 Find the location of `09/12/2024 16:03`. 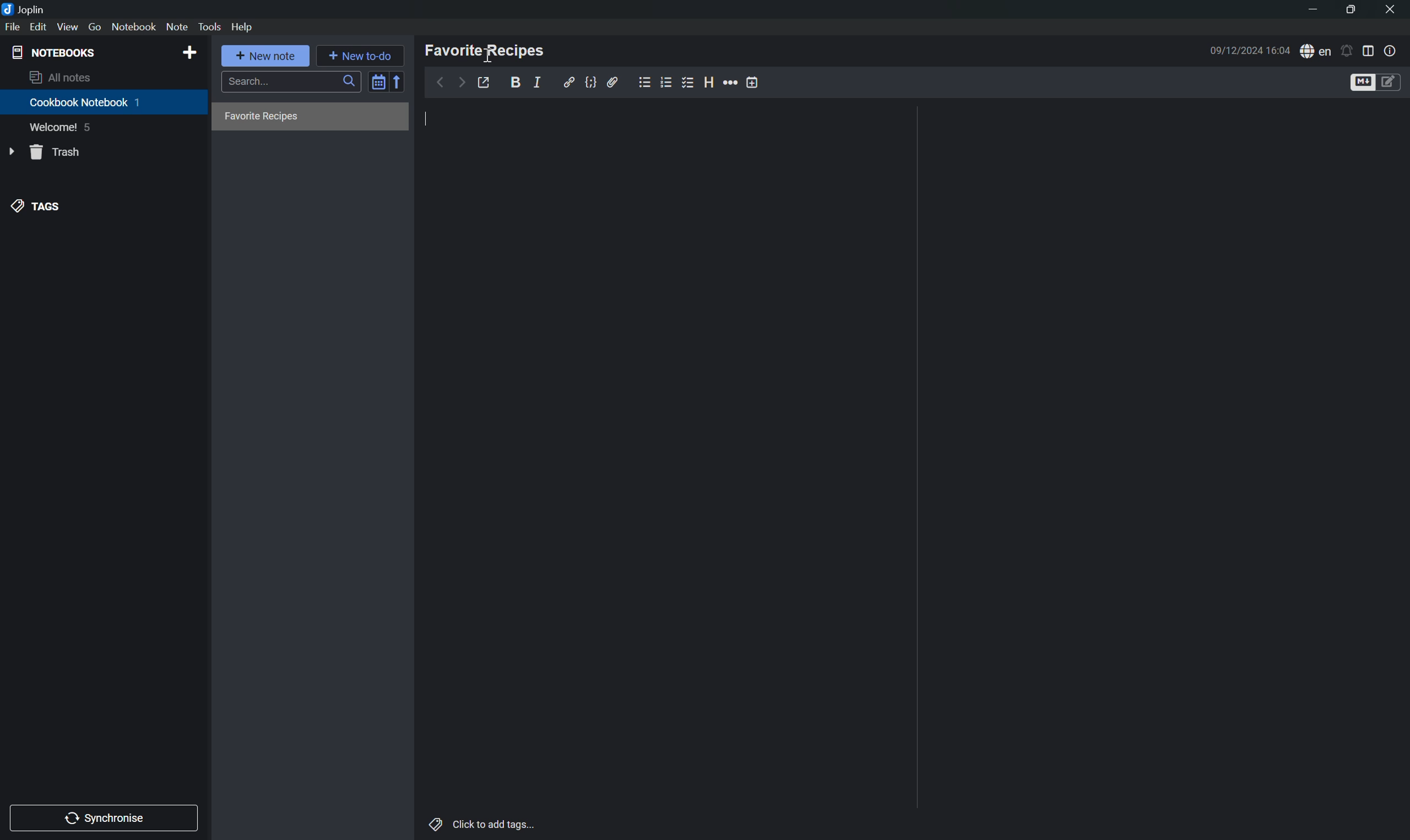

09/12/2024 16:03 is located at coordinates (1249, 50).